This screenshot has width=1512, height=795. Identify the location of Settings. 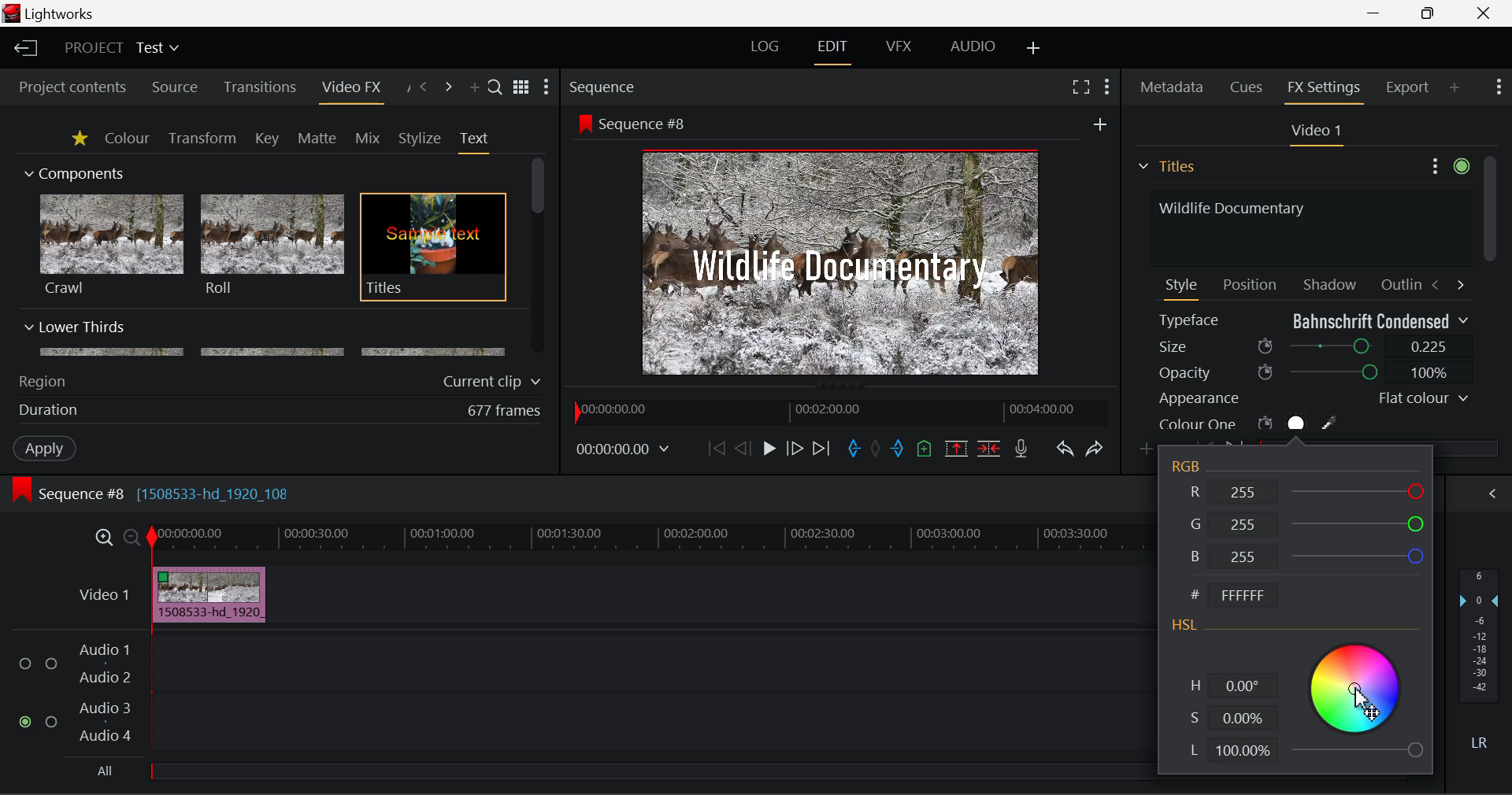
(1447, 164).